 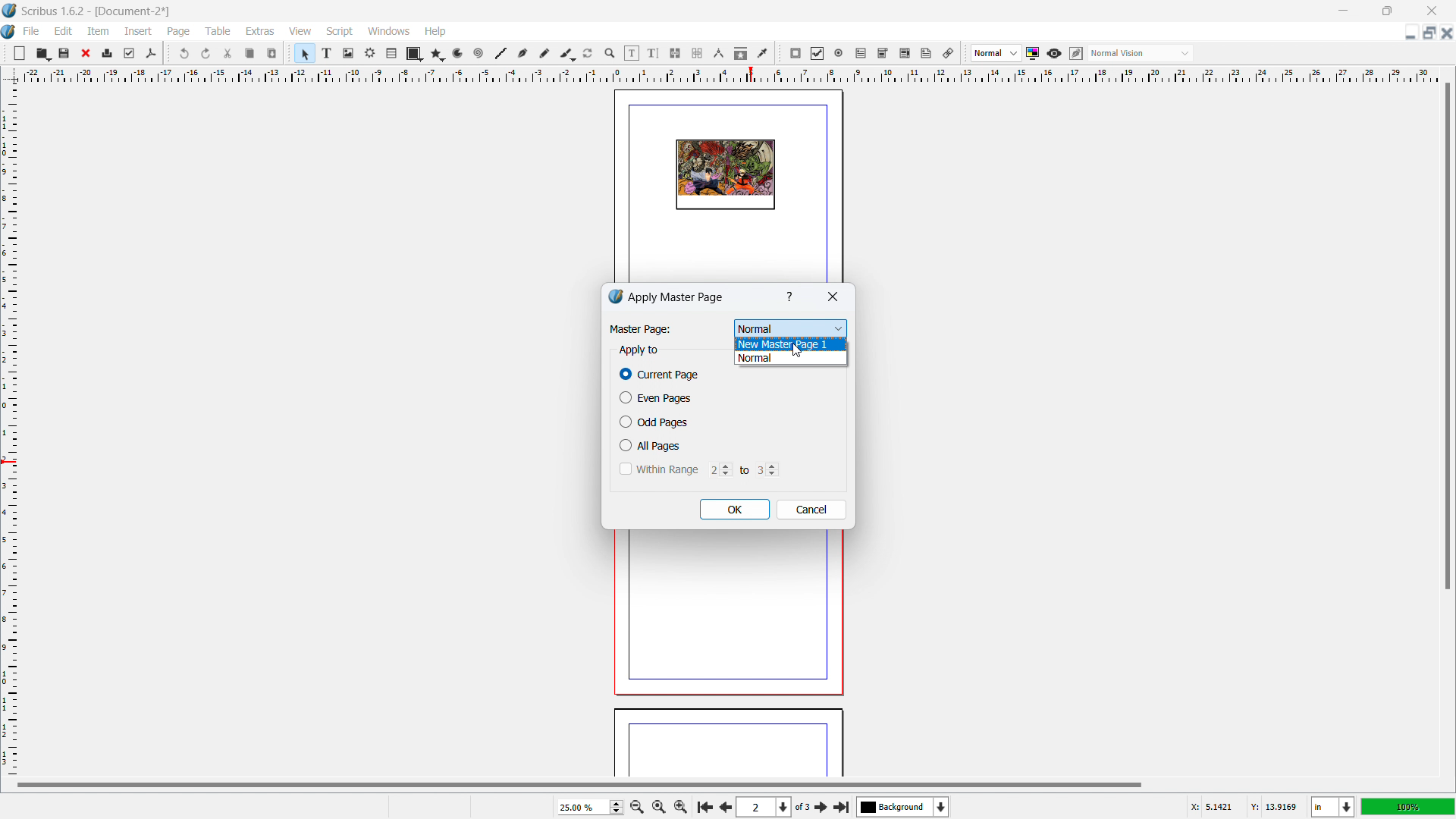 I want to click on Scribus 1.6.2- [Document-2], so click(x=98, y=11).